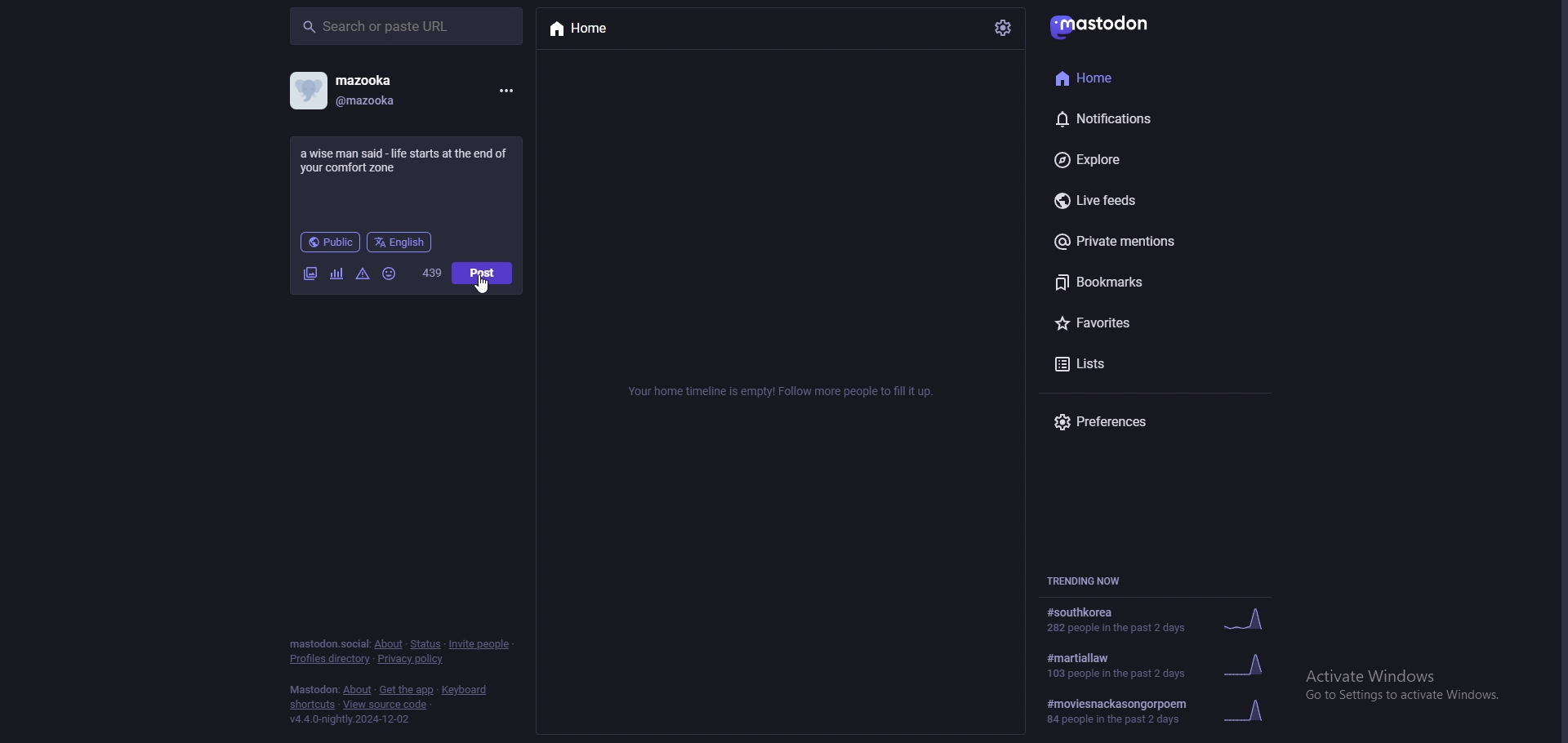 The width and height of the screenshot is (1568, 743). Describe the element at coordinates (1125, 25) in the screenshot. I see `mastodon` at that location.